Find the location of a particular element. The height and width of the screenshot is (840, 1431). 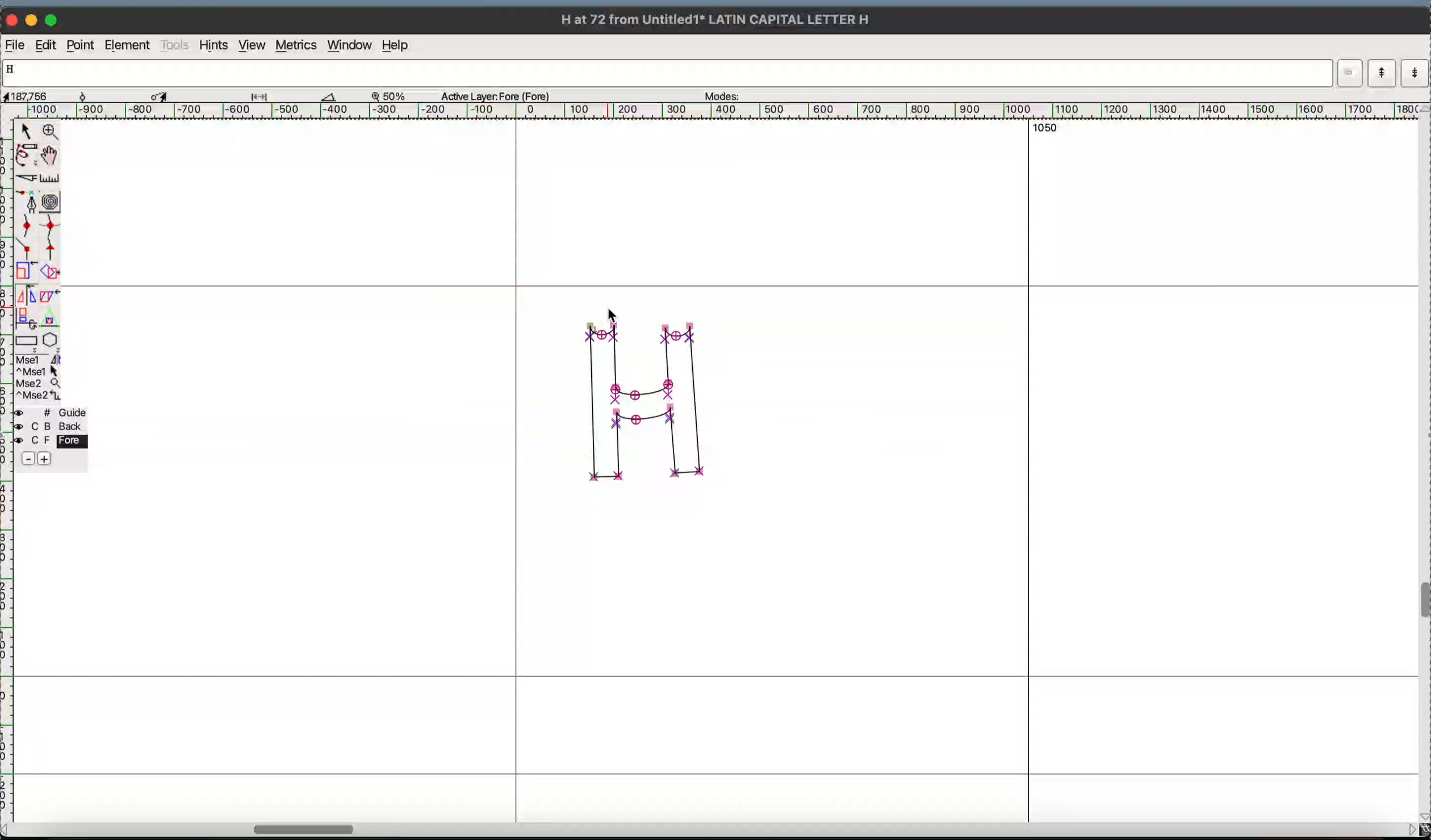

freehand is located at coordinates (27, 154).